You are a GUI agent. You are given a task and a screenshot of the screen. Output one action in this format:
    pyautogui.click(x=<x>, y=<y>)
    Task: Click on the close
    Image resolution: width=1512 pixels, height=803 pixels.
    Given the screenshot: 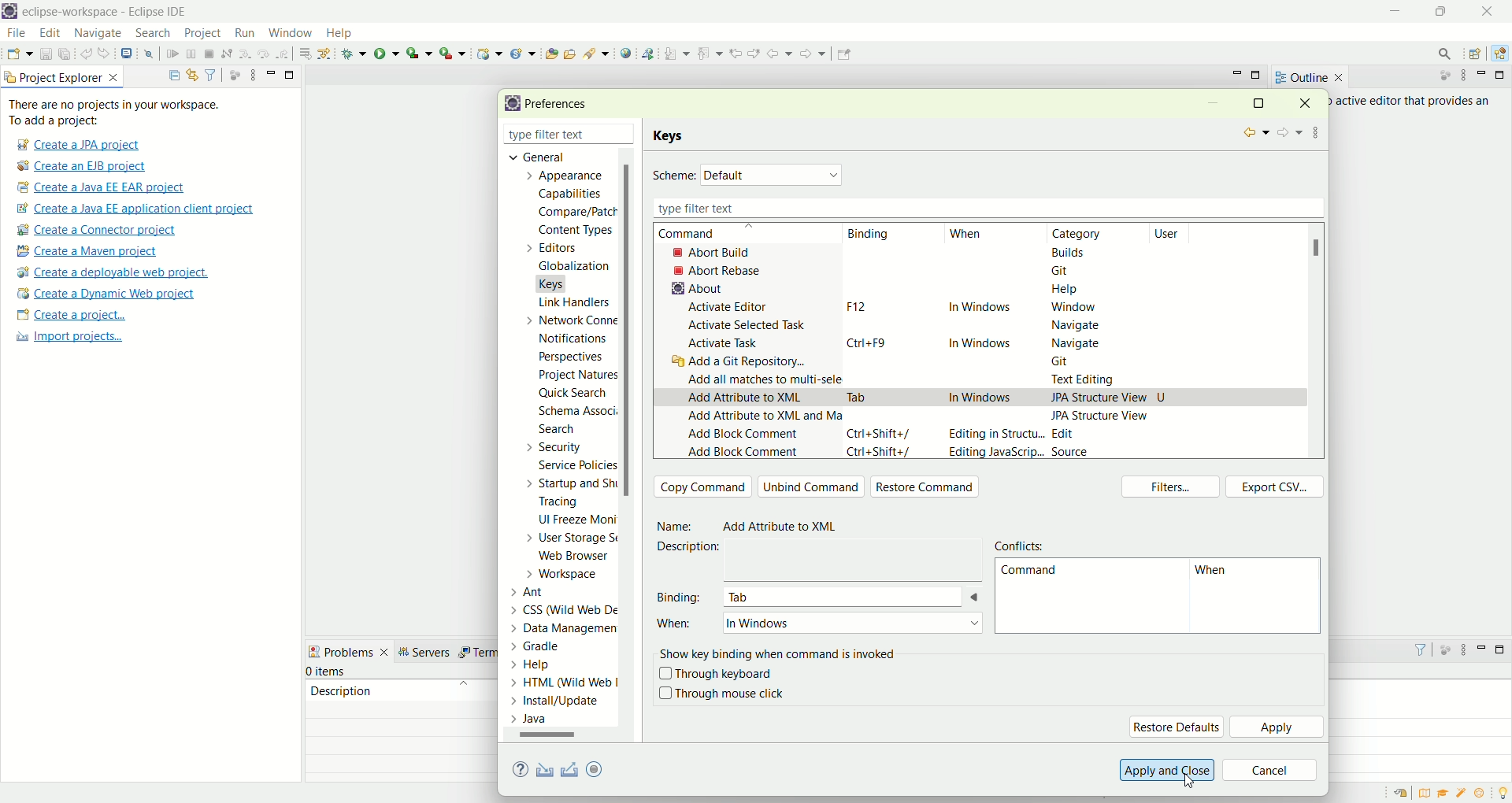 What is the action you would take?
    pyautogui.click(x=629, y=135)
    